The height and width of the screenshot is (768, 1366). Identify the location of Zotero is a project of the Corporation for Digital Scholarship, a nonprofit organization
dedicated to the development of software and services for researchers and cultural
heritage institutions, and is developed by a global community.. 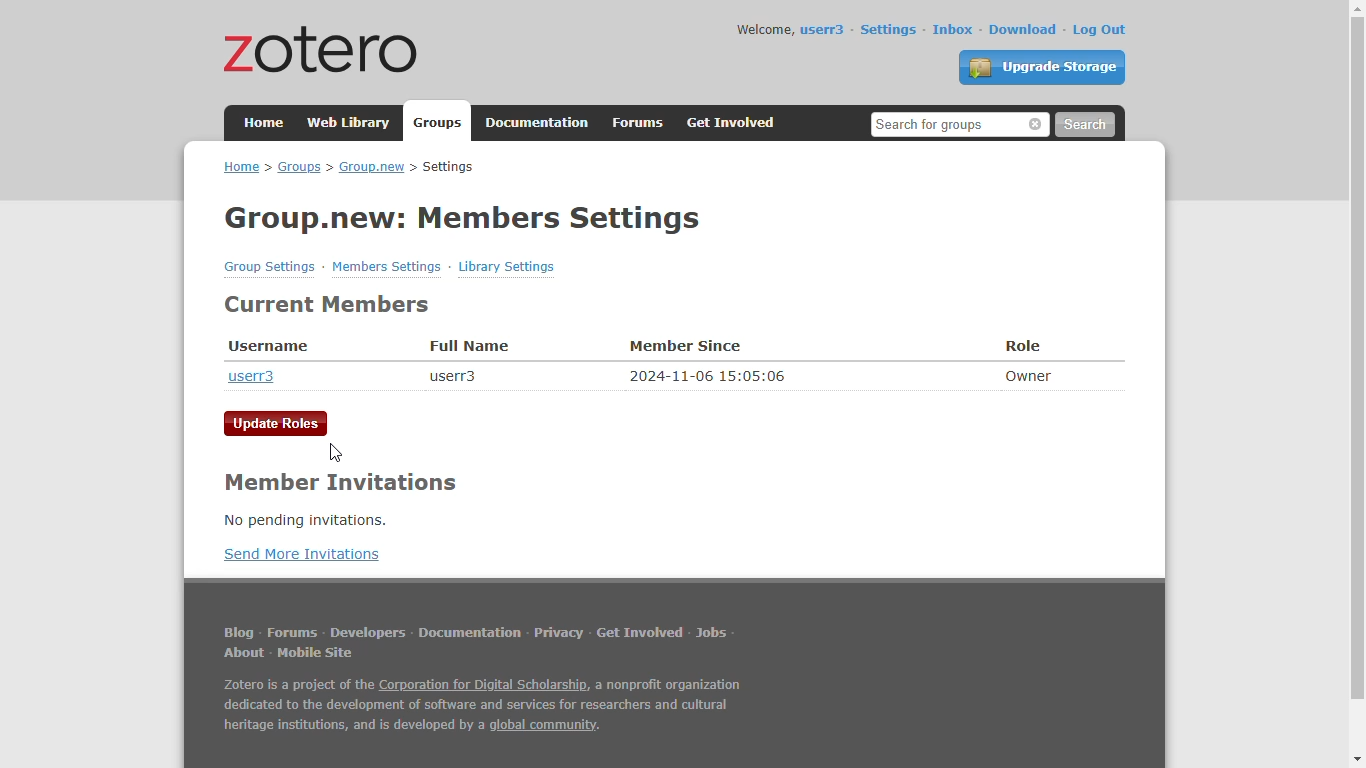
(481, 707).